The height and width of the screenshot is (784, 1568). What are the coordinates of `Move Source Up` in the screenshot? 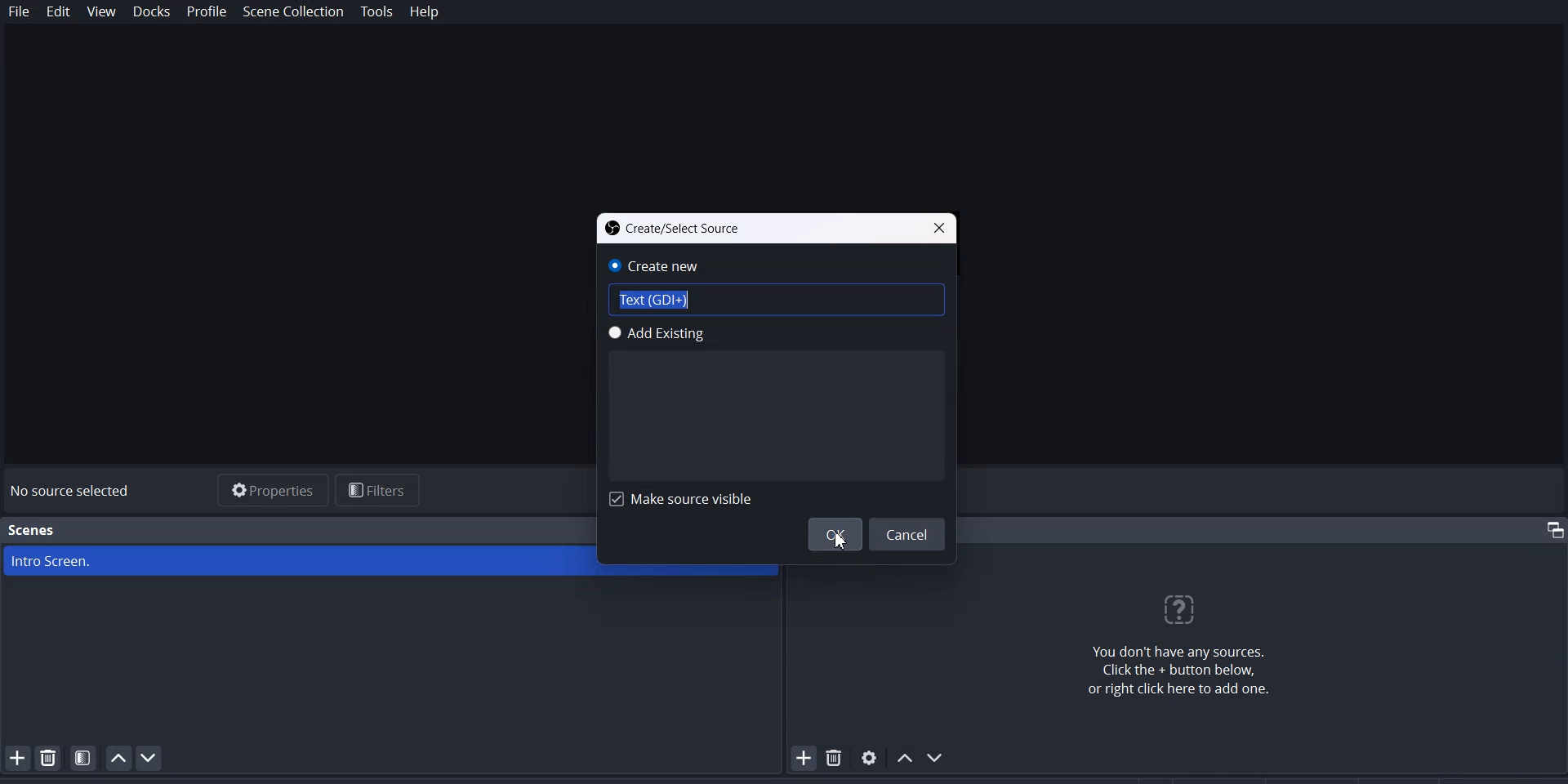 It's located at (903, 757).